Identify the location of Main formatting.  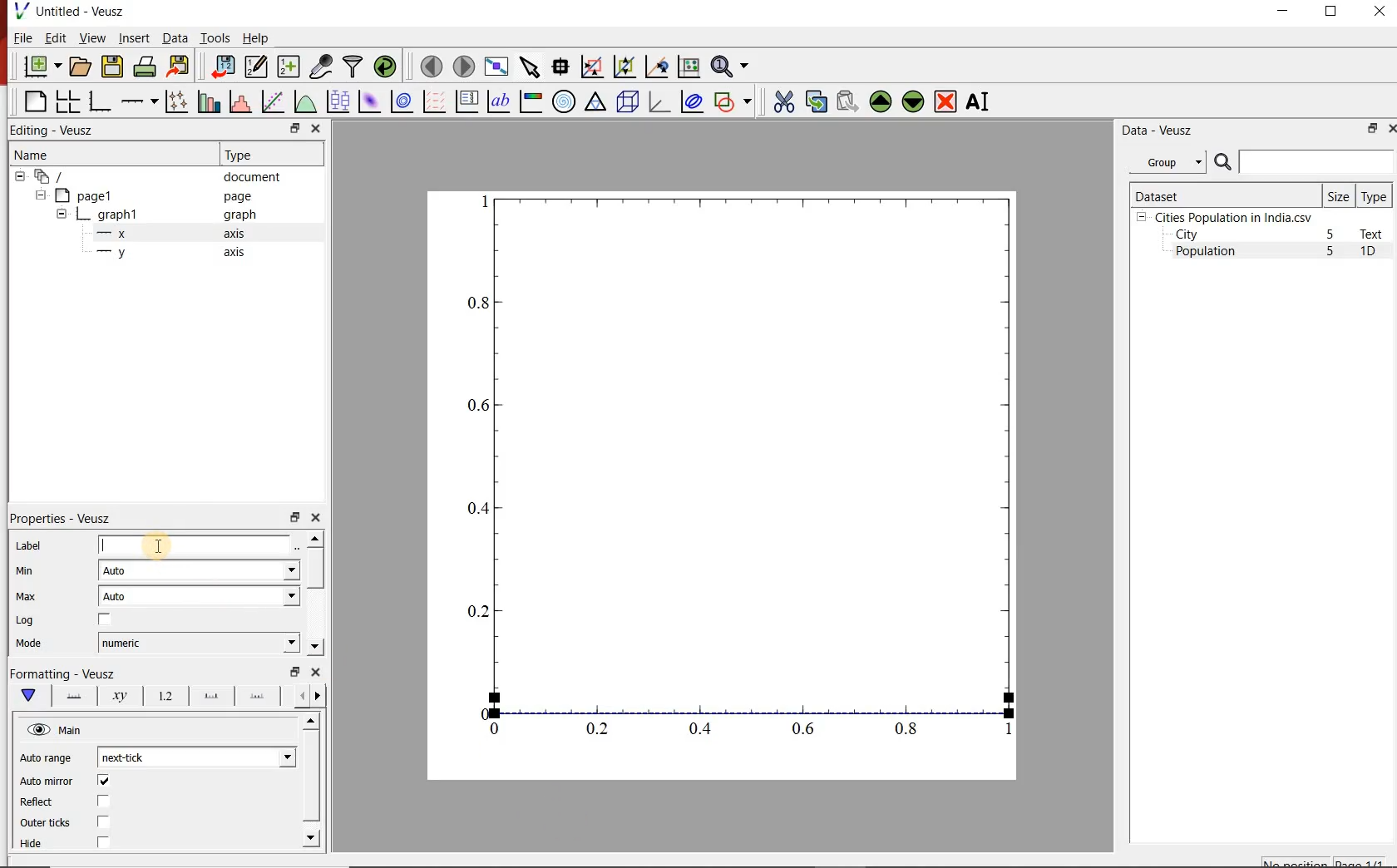
(32, 696).